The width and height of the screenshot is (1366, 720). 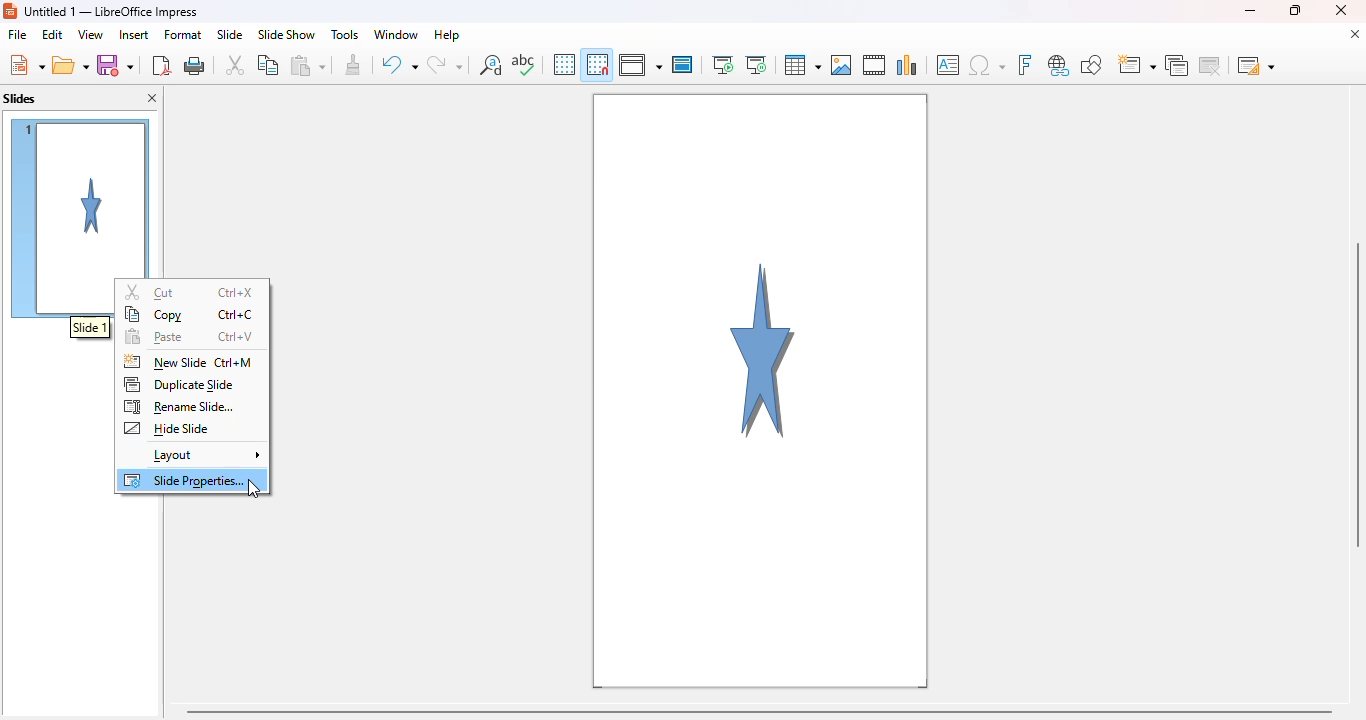 I want to click on shortcut for new slide "Ctrl+M", so click(x=236, y=362).